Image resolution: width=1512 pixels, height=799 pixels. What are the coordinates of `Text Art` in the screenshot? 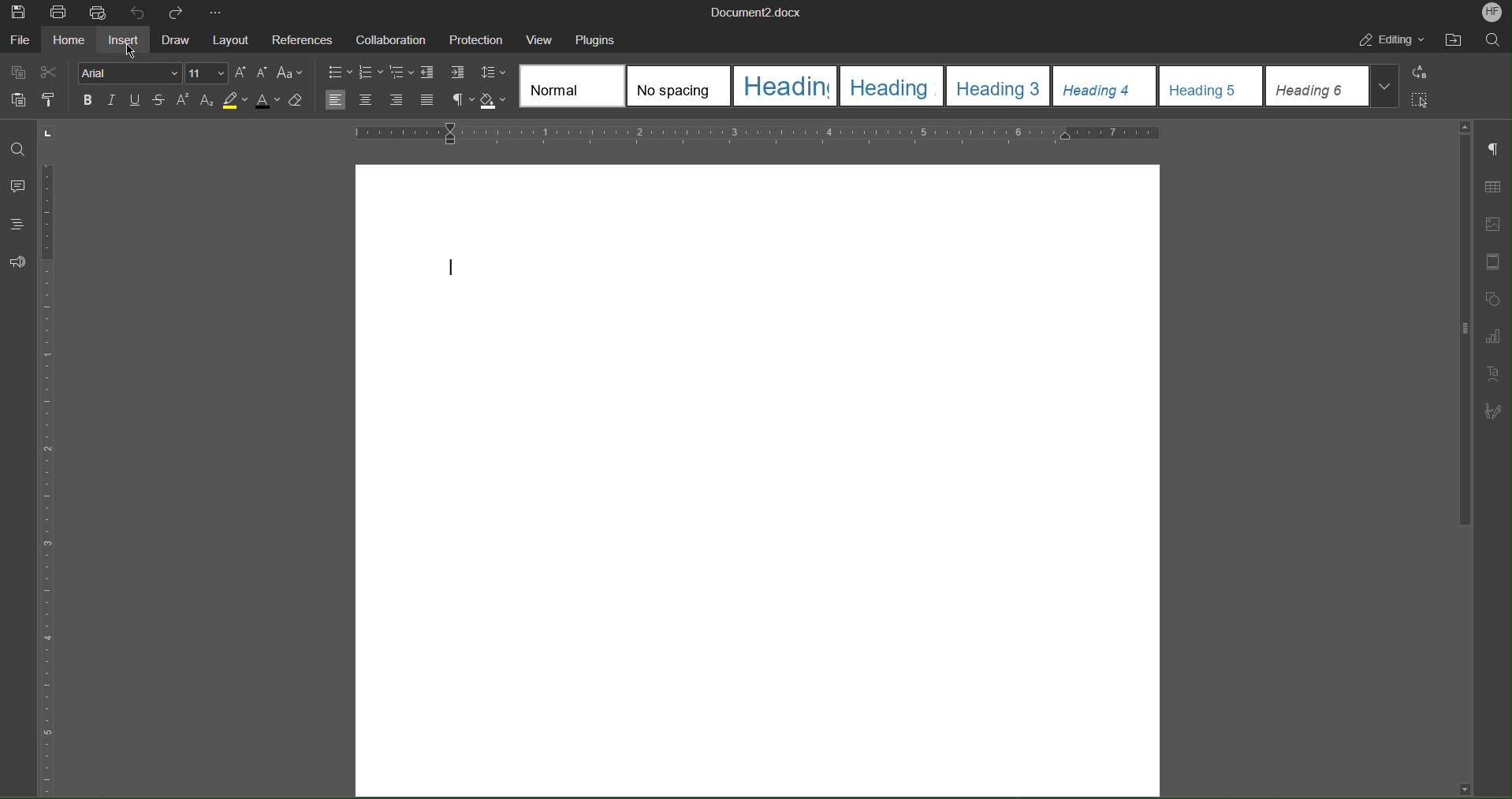 It's located at (1492, 373).